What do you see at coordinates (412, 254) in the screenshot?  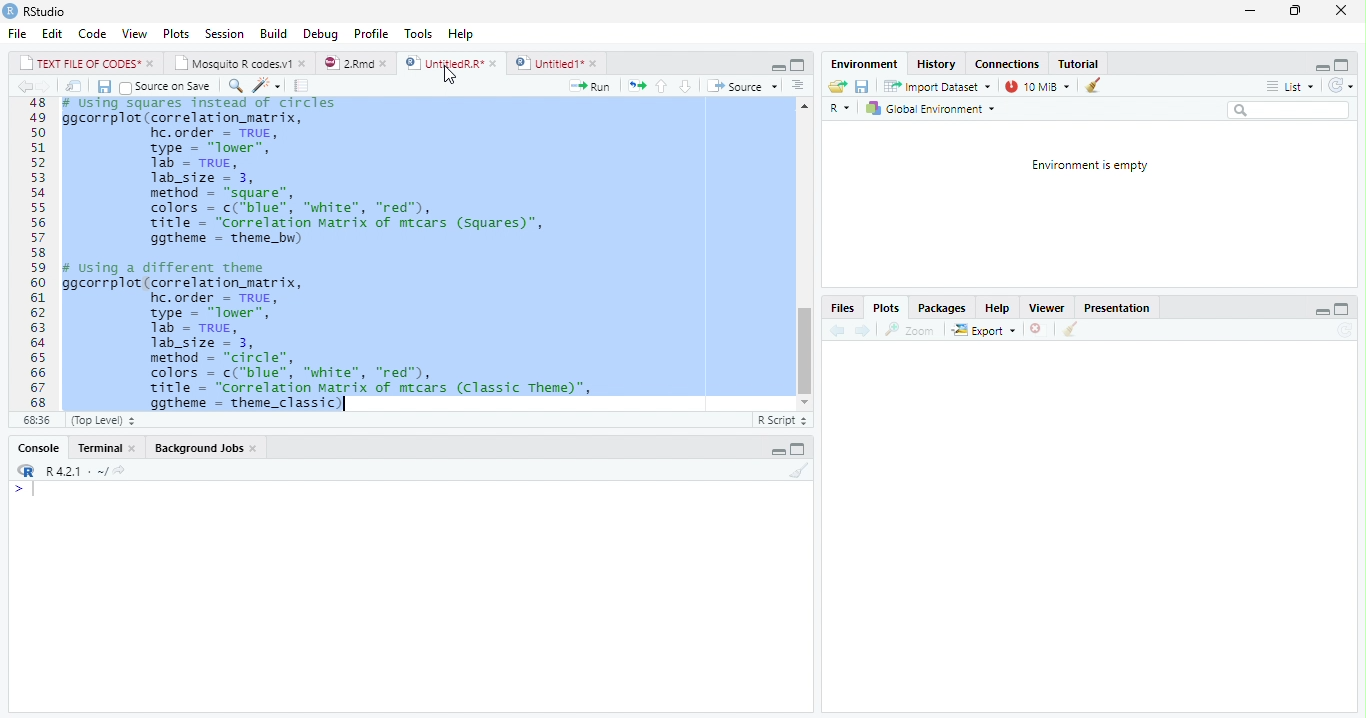 I see `# Using squares instead of circles
ggcorrplot (correlation_matrix,
he. order = TRUE,
type = “lower”,
Tab = TRUE,
Tab_size = 3,
method - “square”,
colors = c("blue”, "white", "red",
title = "Correlation vatrix of mtcars (squares)”,
ggthene = theme_bw)
# using a different theme
ggcorrplot (correlation_matrix,
he. order = TRUE,
type = “lower”,
Tab = TRUE,
lab_size = 3,
method = “circle”,
colors = c("blue”, "white", "red",
title = "Correlation Matrix of mtcars (Classic Theme)”,
ggtheme = theme_classic)|` at bounding box center [412, 254].